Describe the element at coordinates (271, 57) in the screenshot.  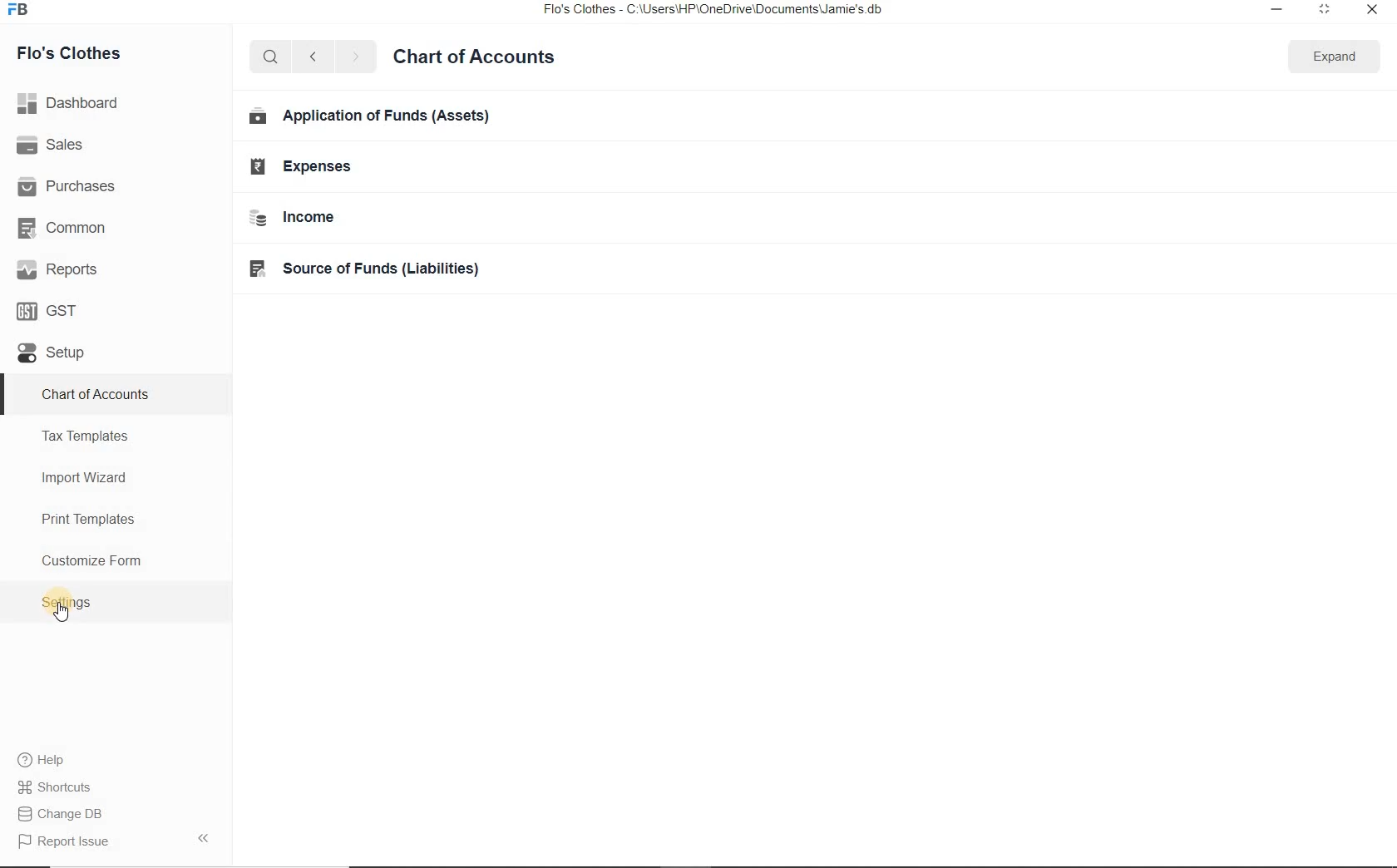
I see `search` at that location.